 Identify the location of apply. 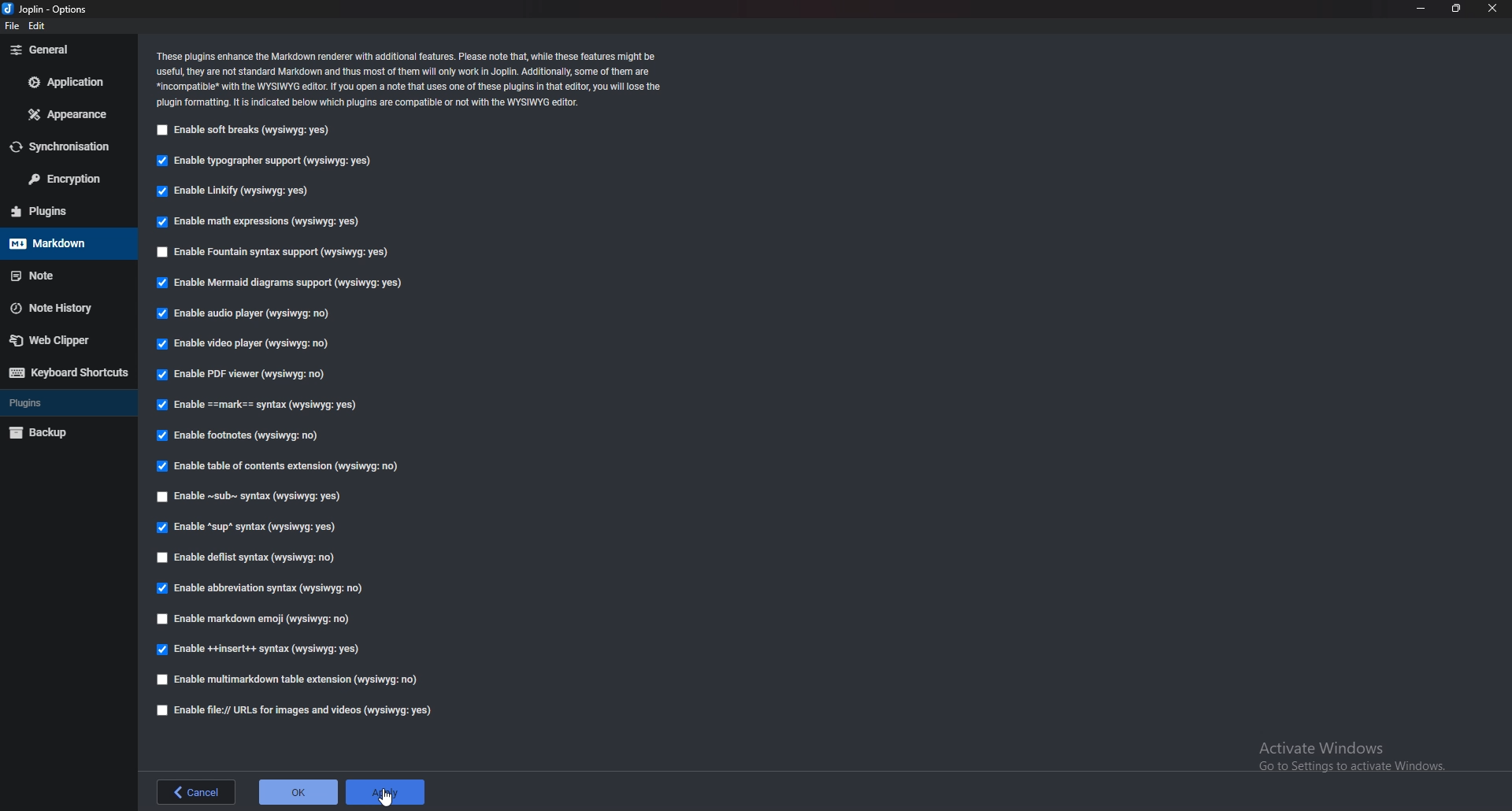
(389, 794).